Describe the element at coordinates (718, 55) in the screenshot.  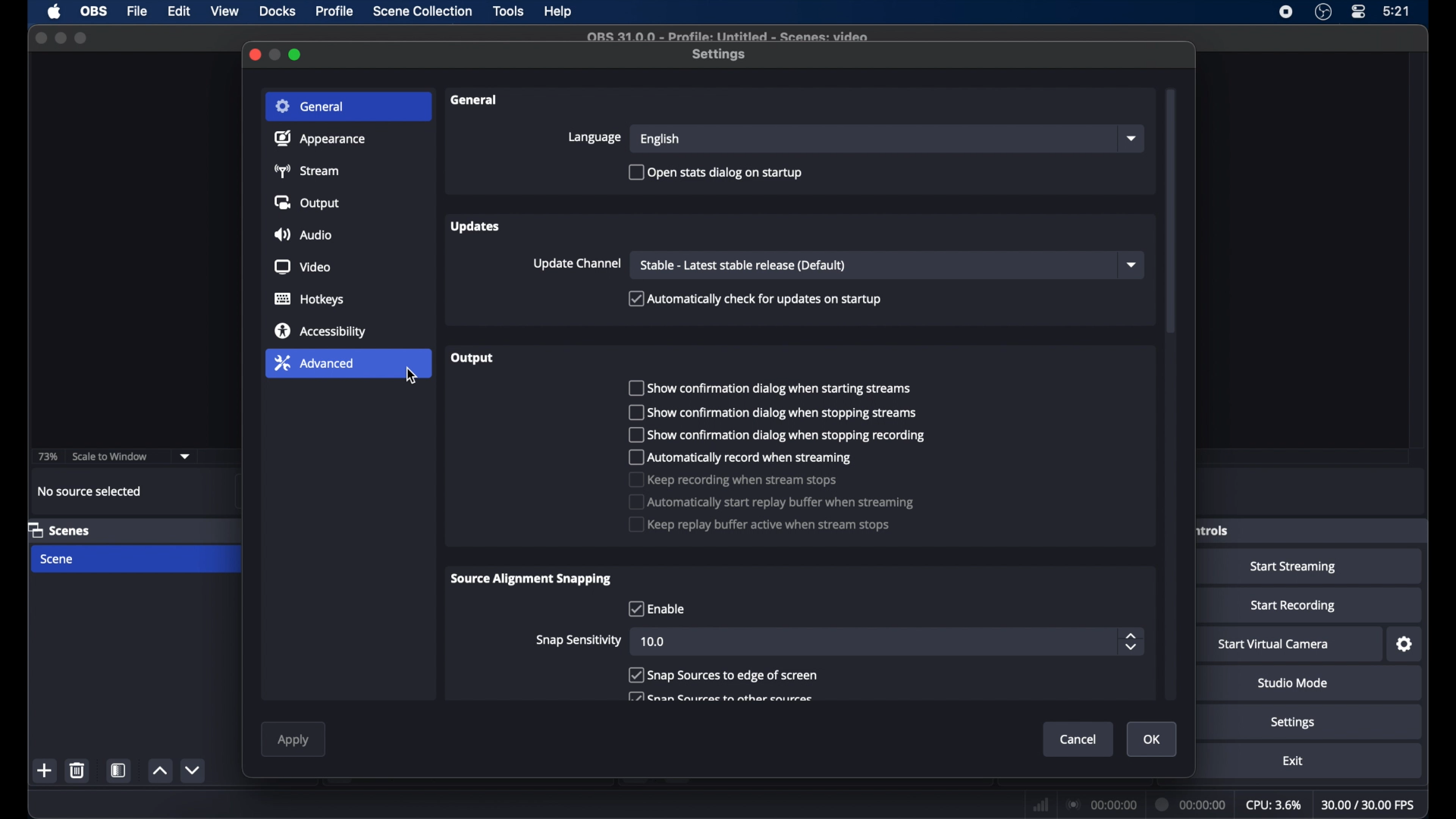
I see `settings` at that location.